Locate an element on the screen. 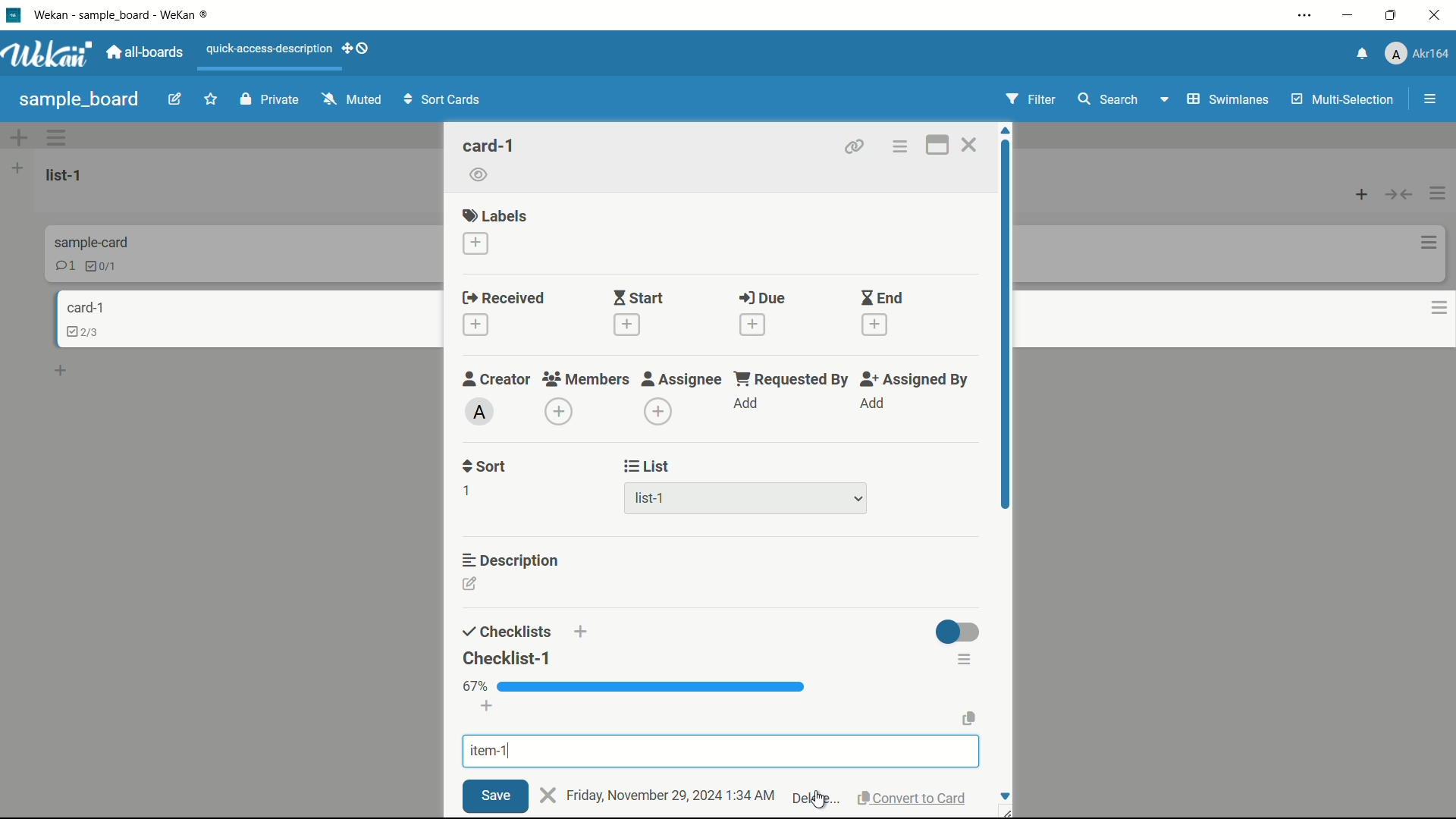 This screenshot has height=819, width=1456. multi- selection is located at coordinates (1340, 100).